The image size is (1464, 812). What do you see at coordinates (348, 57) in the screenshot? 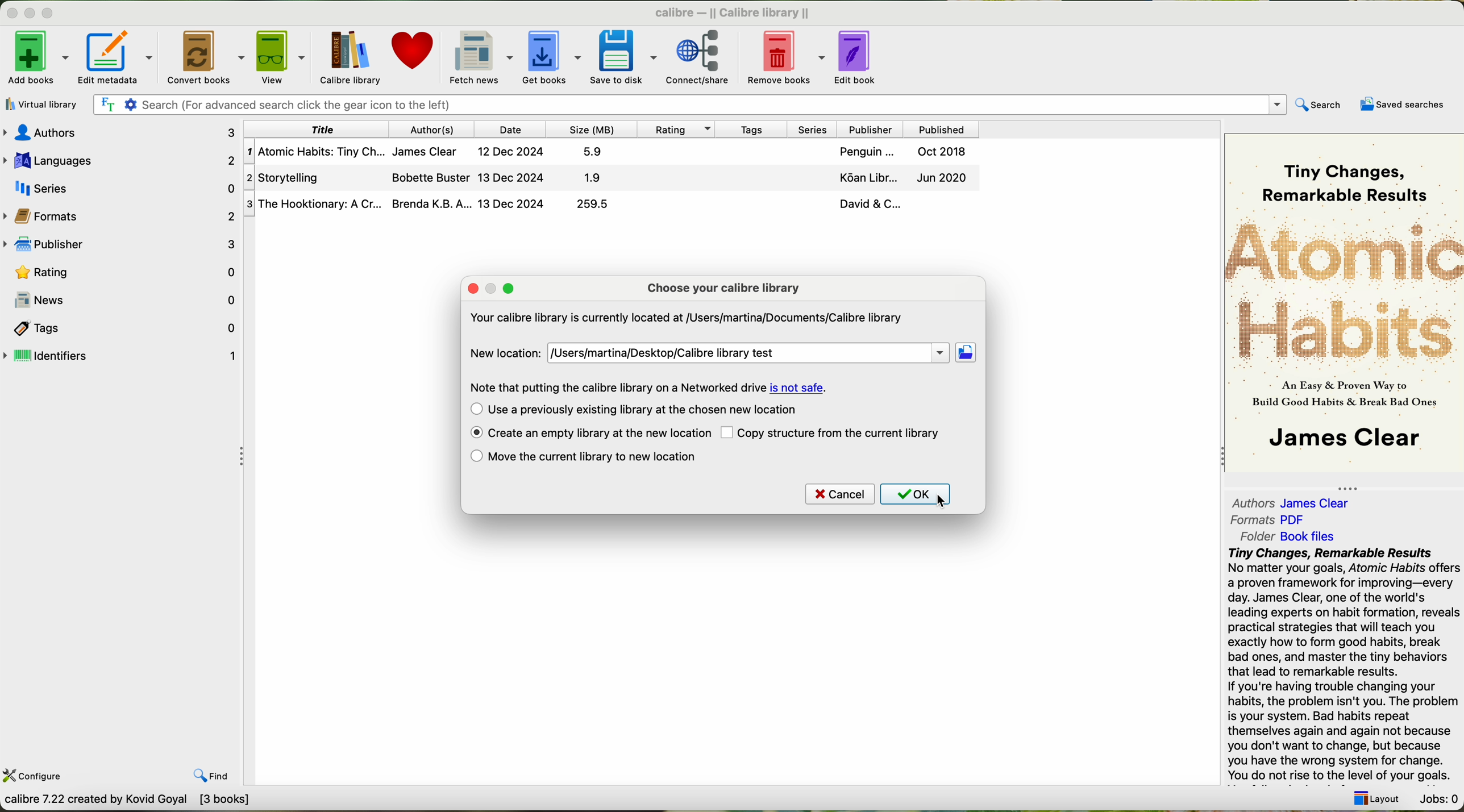
I see `click on calibre library` at bounding box center [348, 57].